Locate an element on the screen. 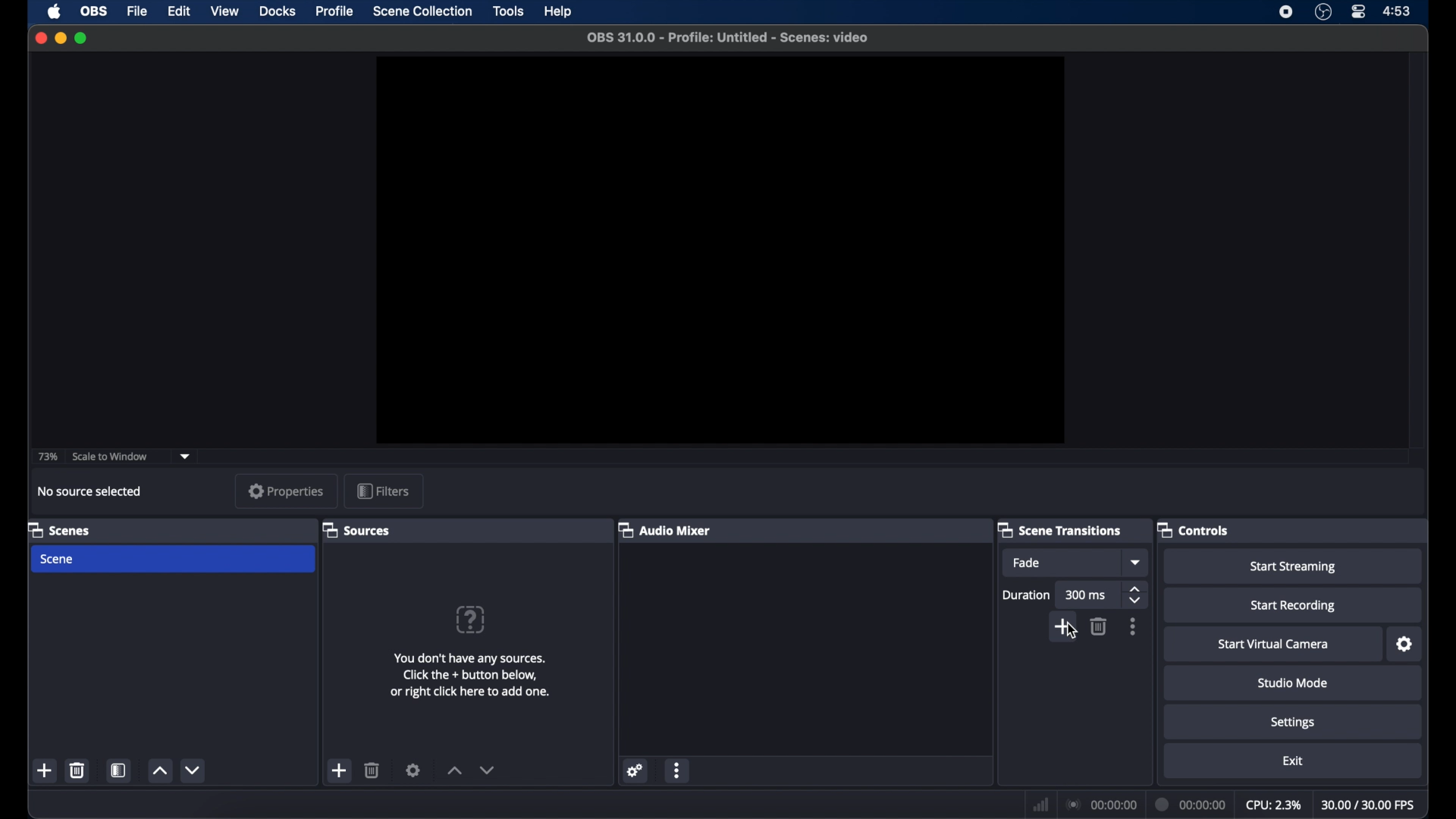 This screenshot has height=819, width=1456. question mark is located at coordinates (472, 620).